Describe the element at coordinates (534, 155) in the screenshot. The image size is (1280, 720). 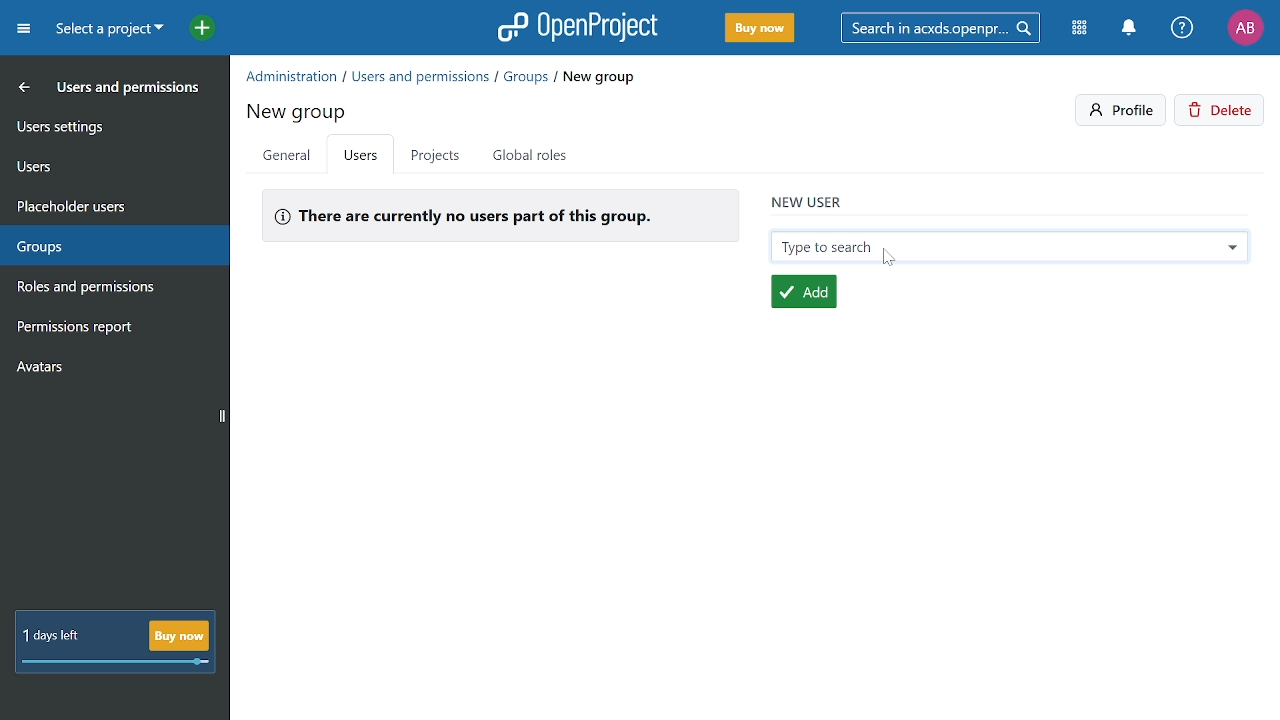
I see `Global roles` at that location.